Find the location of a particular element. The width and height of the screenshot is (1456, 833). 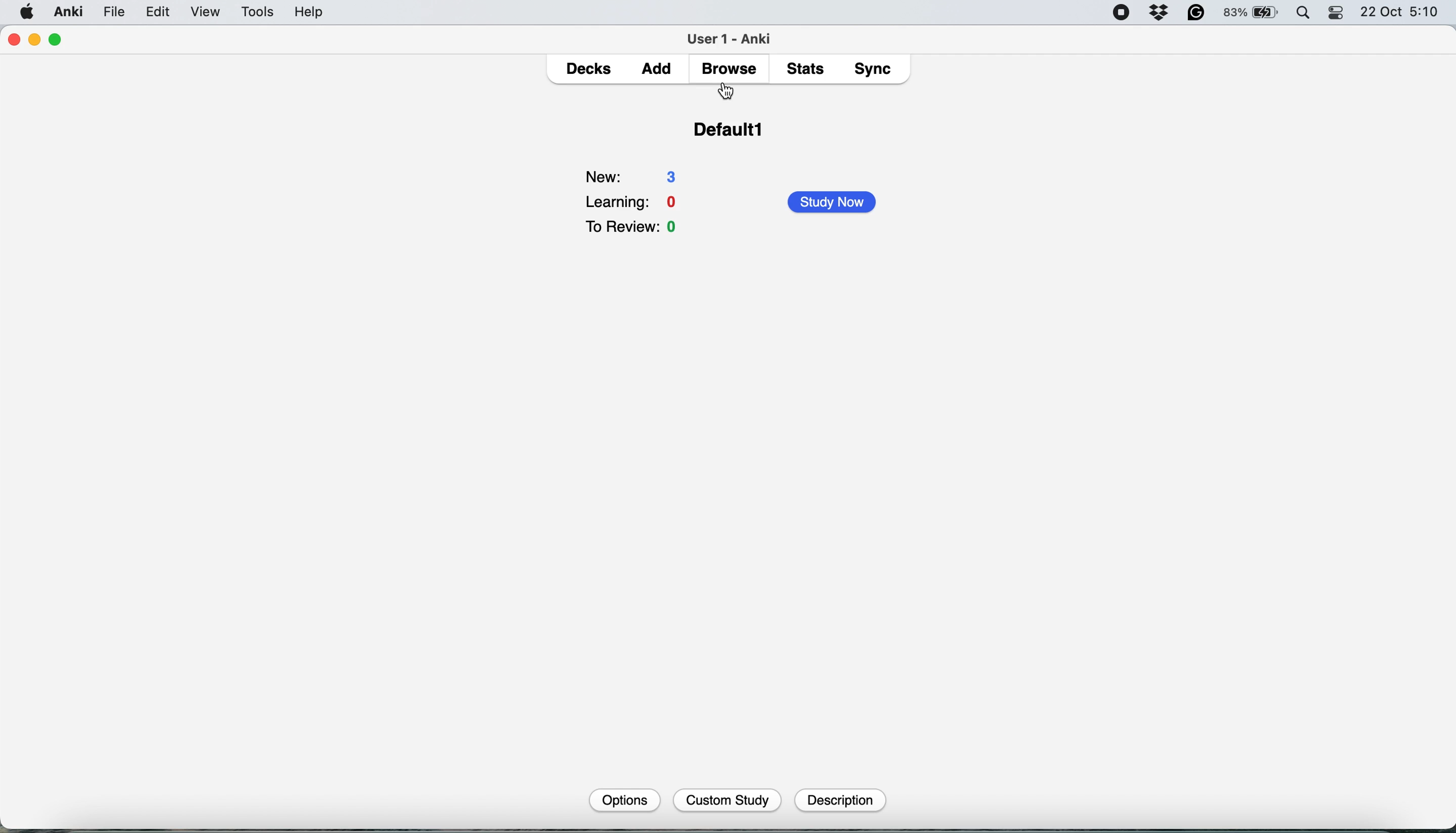

grammarly is located at coordinates (1197, 13).